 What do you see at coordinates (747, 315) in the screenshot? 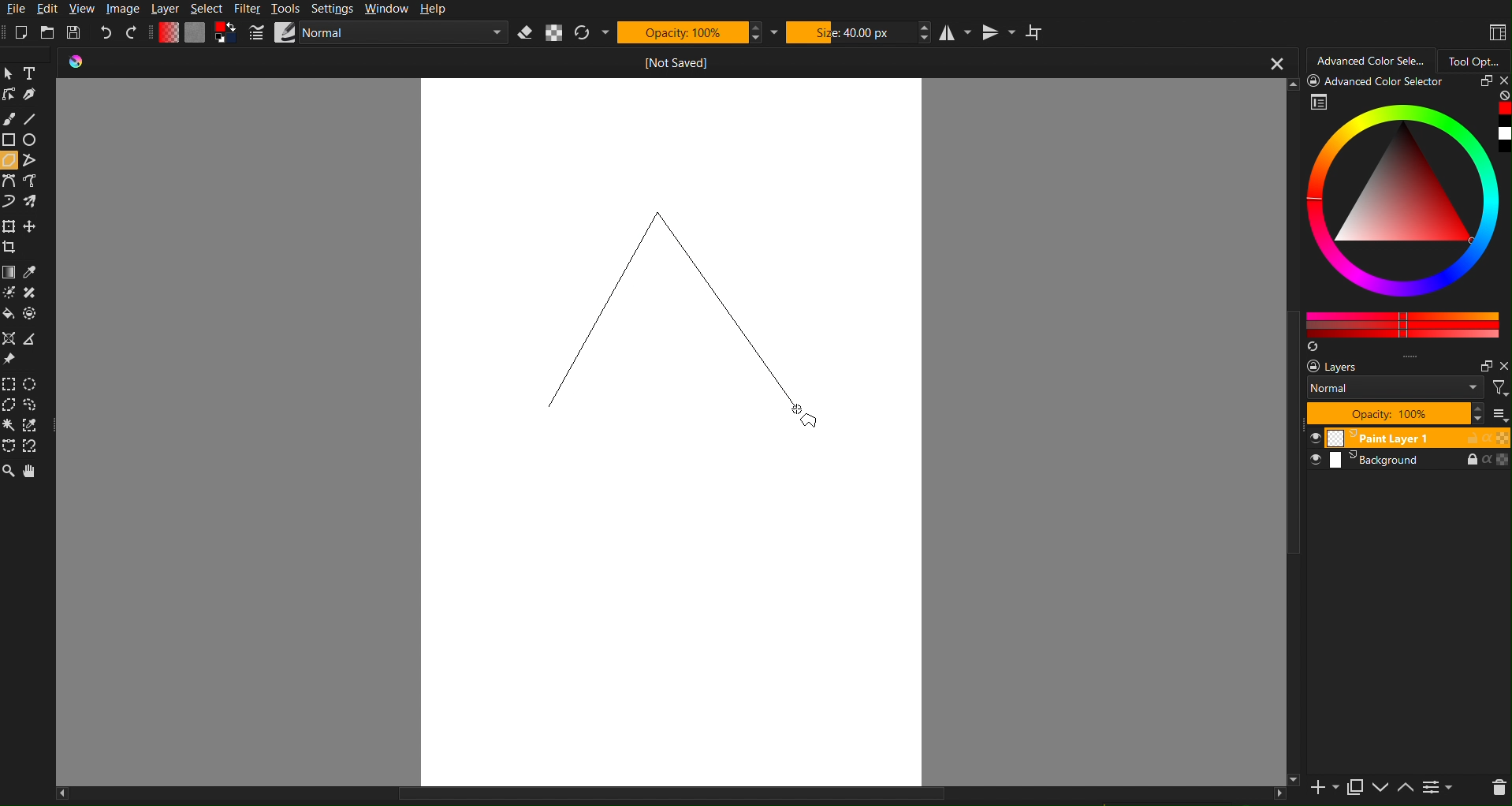
I see `Line 2` at bounding box center [747, 315].